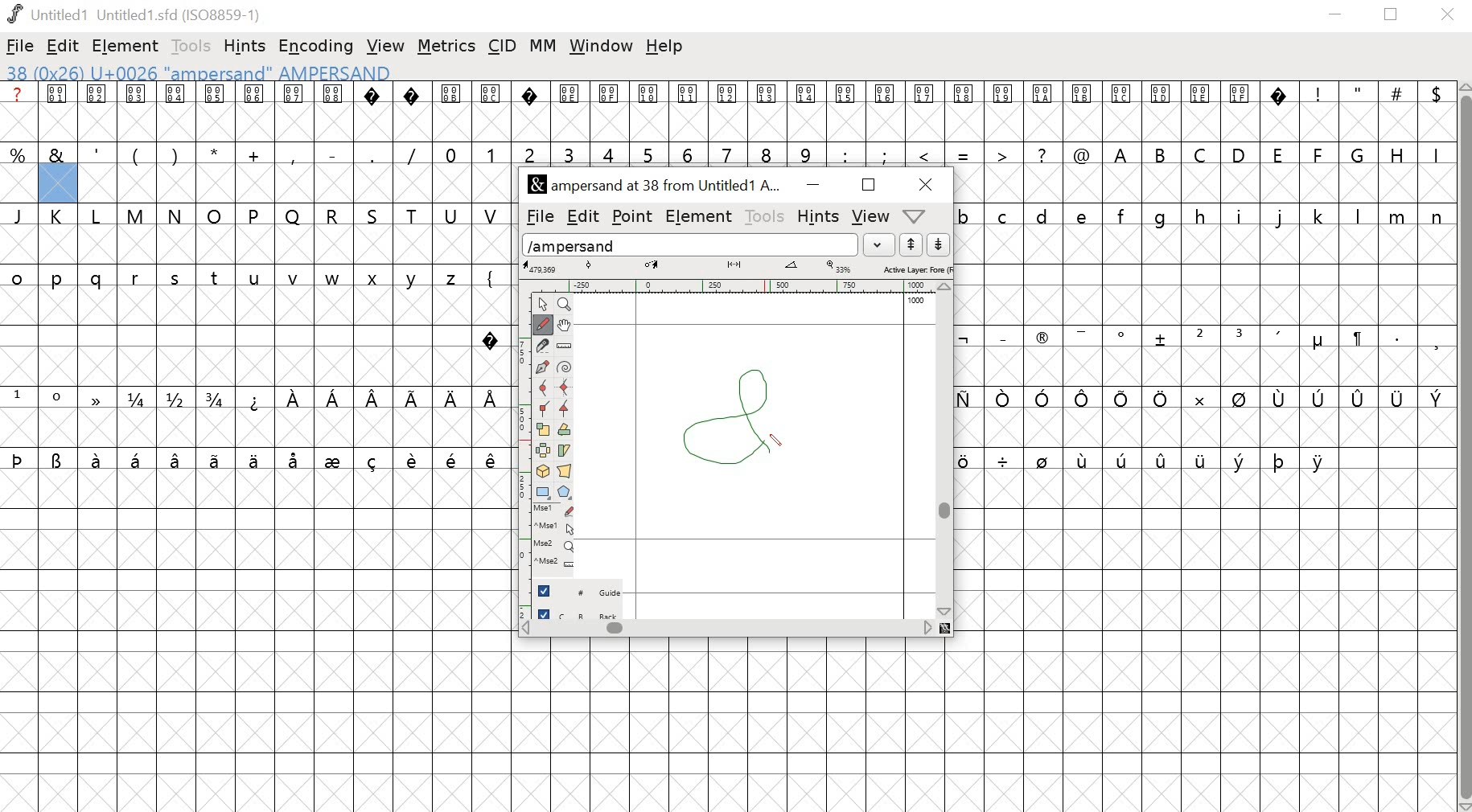 Image resolution: width=1472 pixels, height=812 pixels. What do you see at coordinates (216, 278) in the screenshot?
I see `t` at bounding box center [216, 278].